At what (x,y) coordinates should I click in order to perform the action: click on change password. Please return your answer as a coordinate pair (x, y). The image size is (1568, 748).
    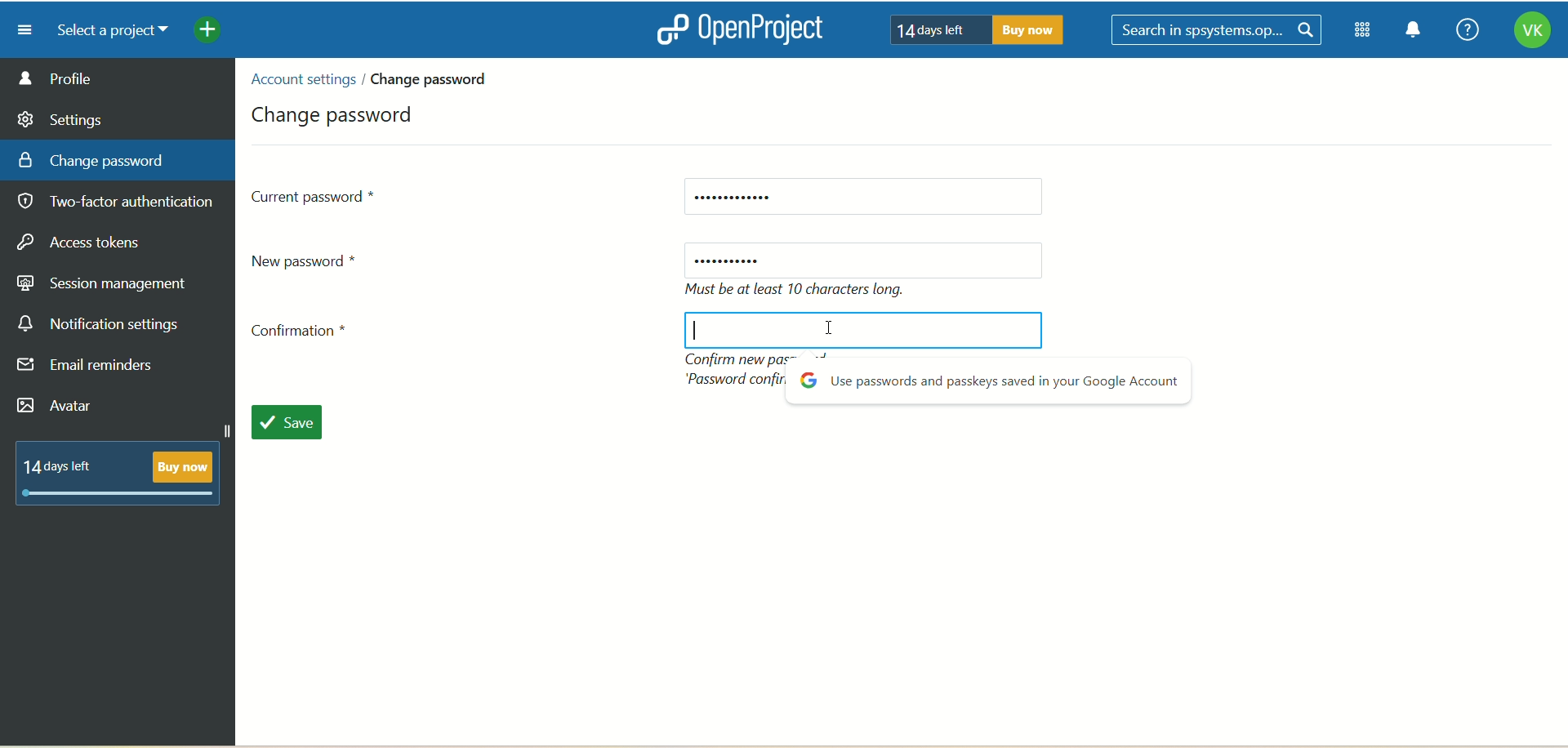
    Looking at the image, I should click on (91, 159).